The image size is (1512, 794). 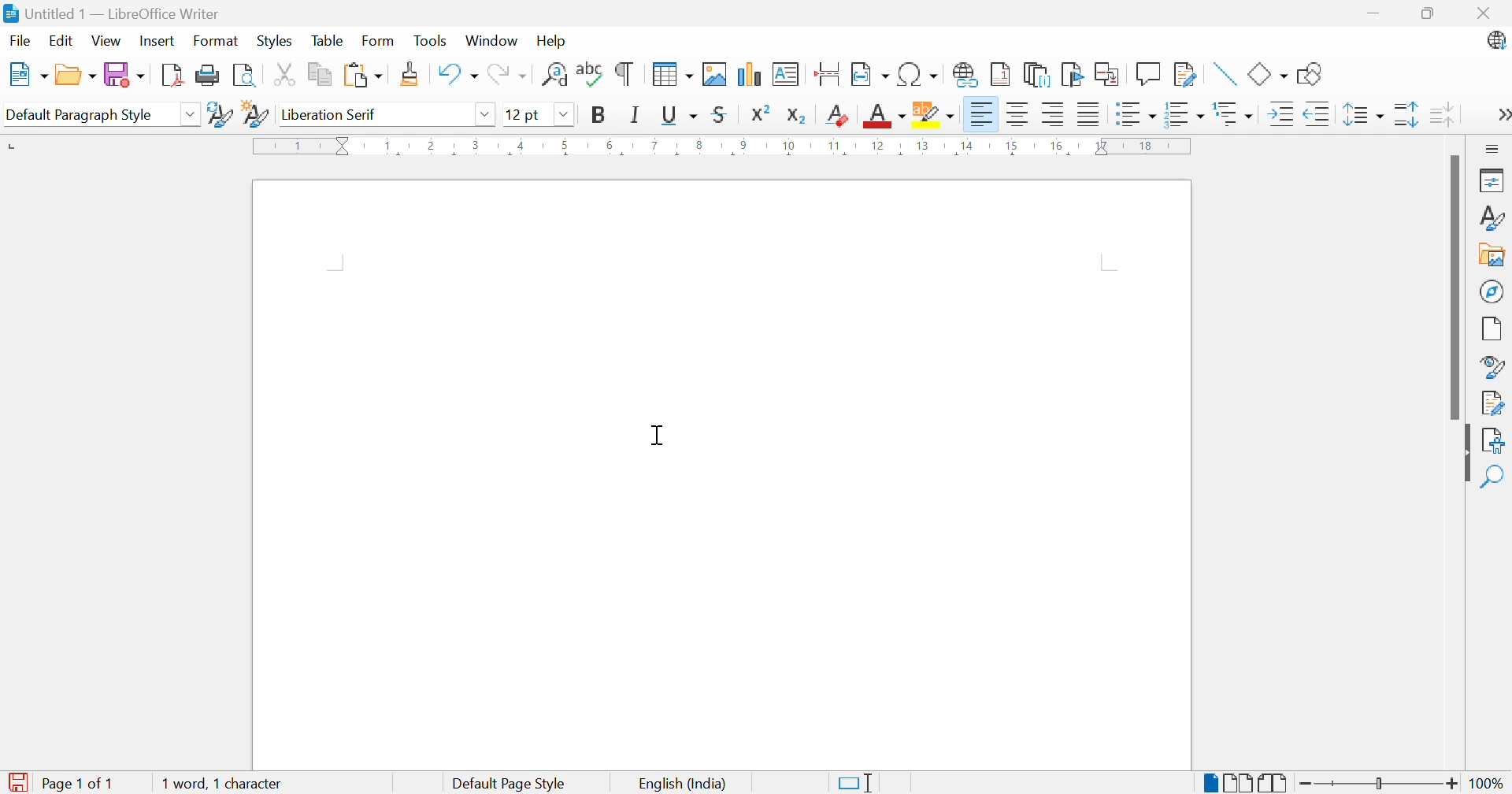 I want to click on Italic, so click(x=636, y=114).